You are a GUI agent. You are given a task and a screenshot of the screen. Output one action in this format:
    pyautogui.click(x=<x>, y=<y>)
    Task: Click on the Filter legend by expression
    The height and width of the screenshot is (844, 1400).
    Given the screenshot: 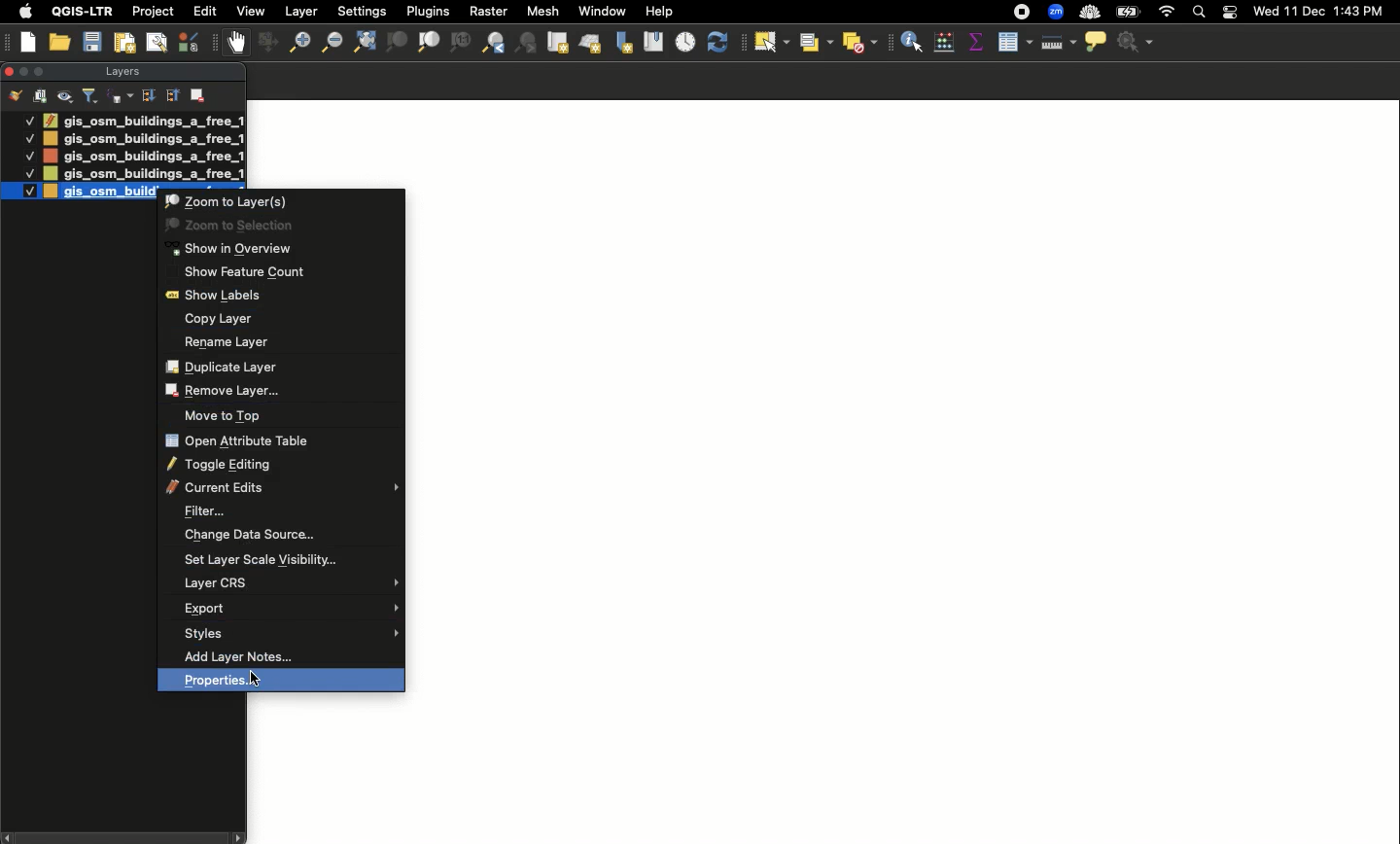 What is the action you would take?
    pyautogui.click(x=121, y=96)
    